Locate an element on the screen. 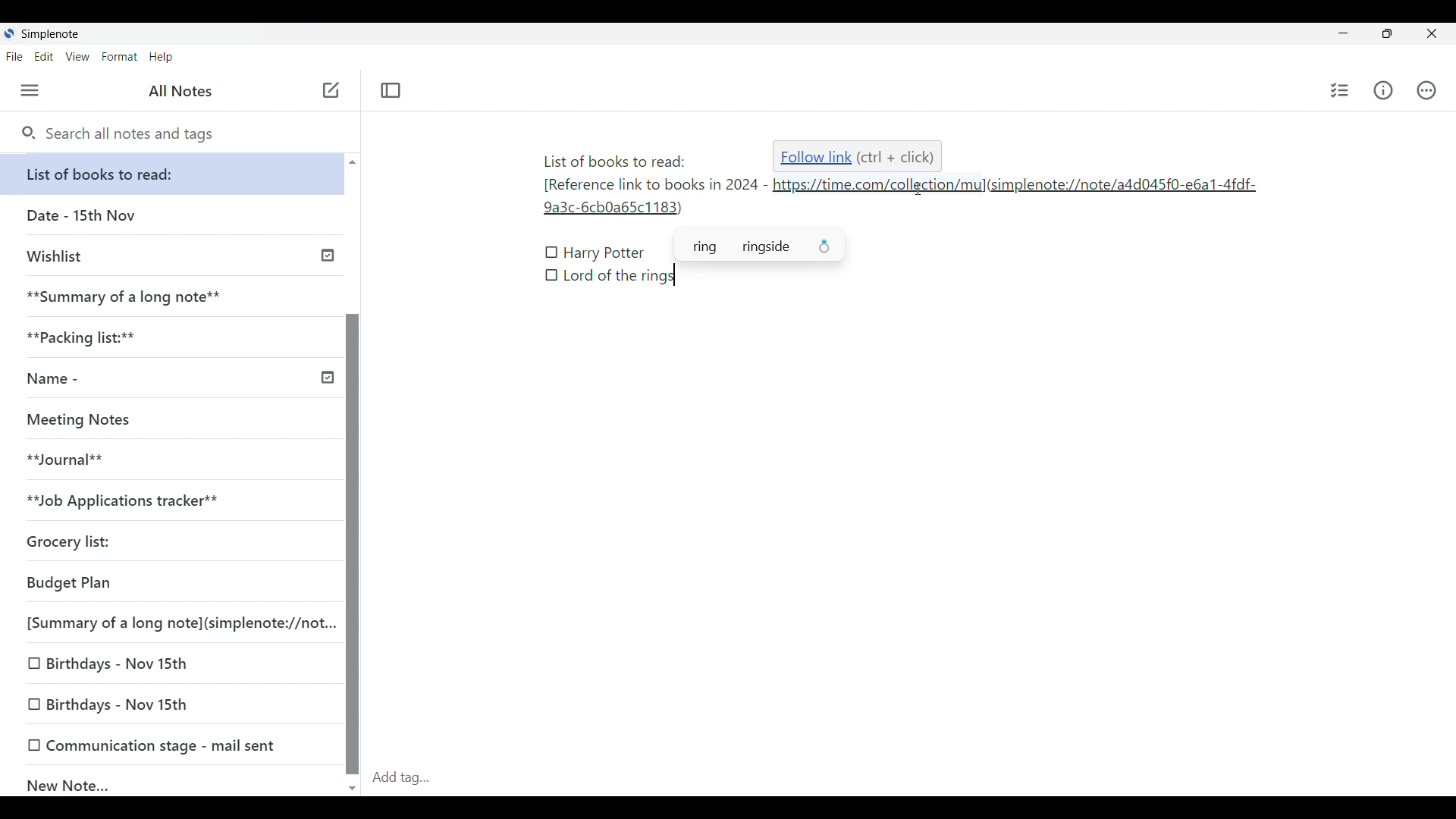 The width and height of the screenshot is (1456, 819). New Note... is located at coordinates (174, 782).